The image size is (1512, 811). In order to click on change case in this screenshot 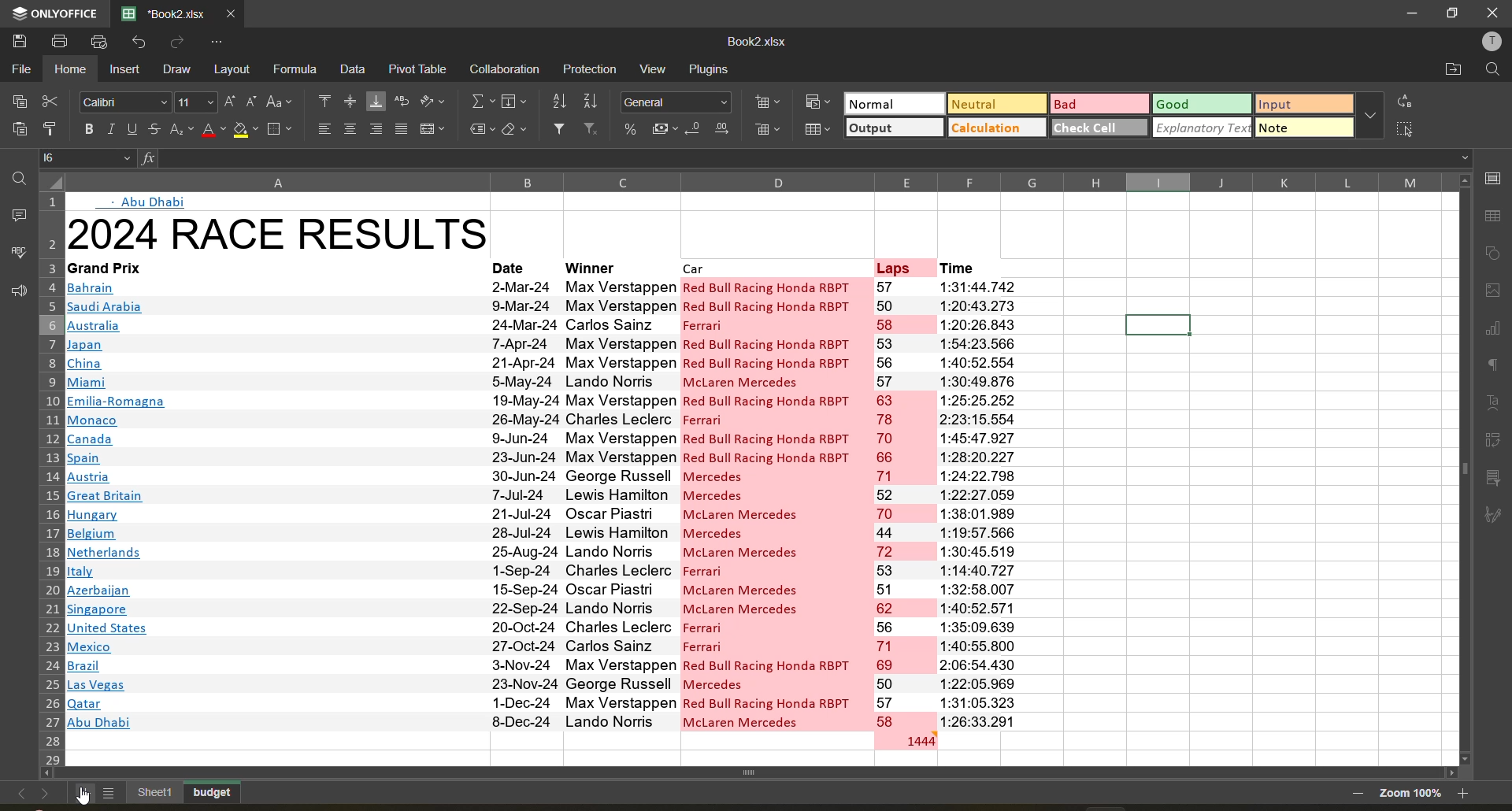, I will do `click(283, 102)`.